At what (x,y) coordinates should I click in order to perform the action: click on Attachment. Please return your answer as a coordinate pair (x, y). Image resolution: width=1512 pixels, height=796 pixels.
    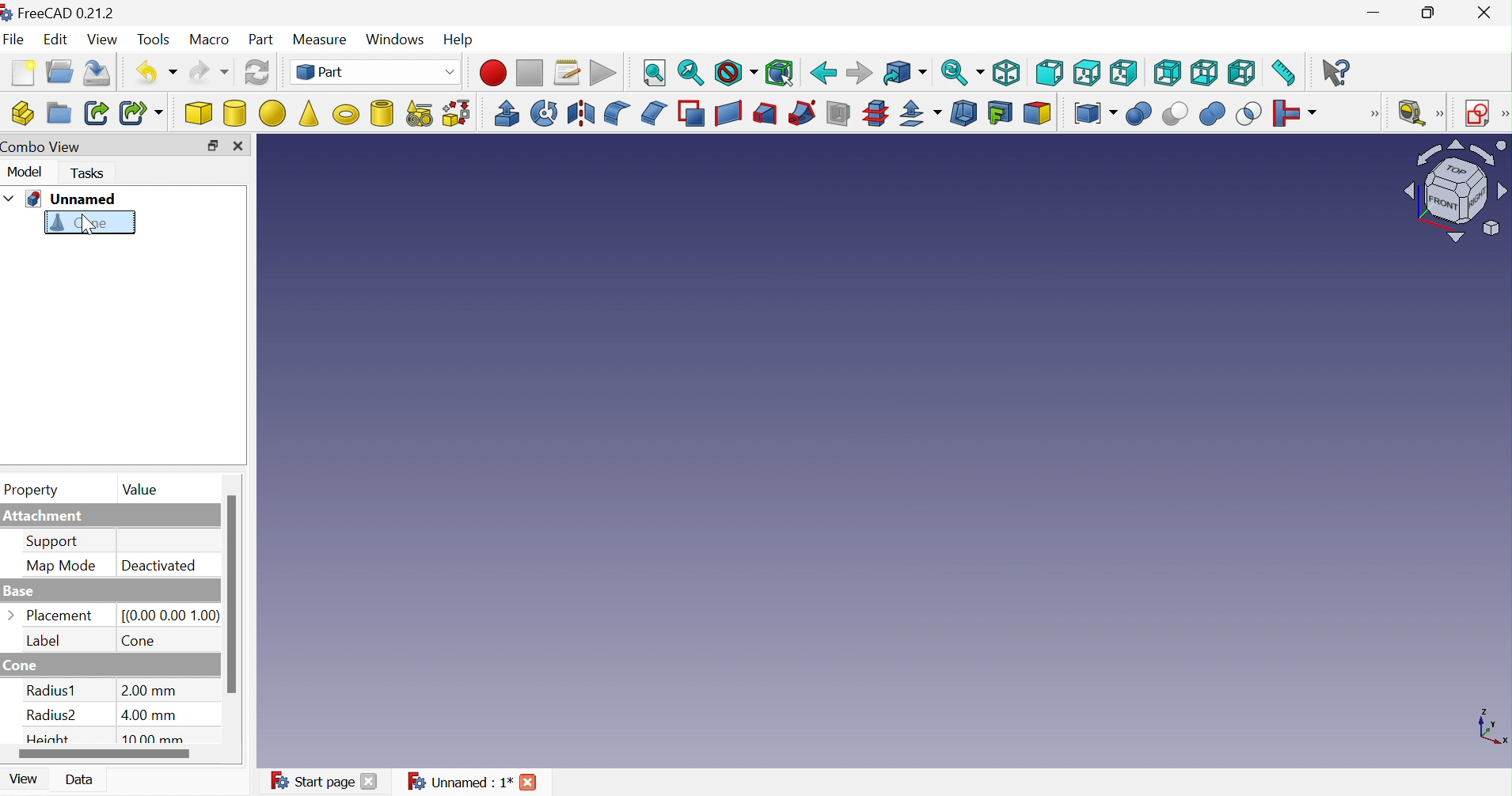
    Looking at the image, I should click on (45, 517).